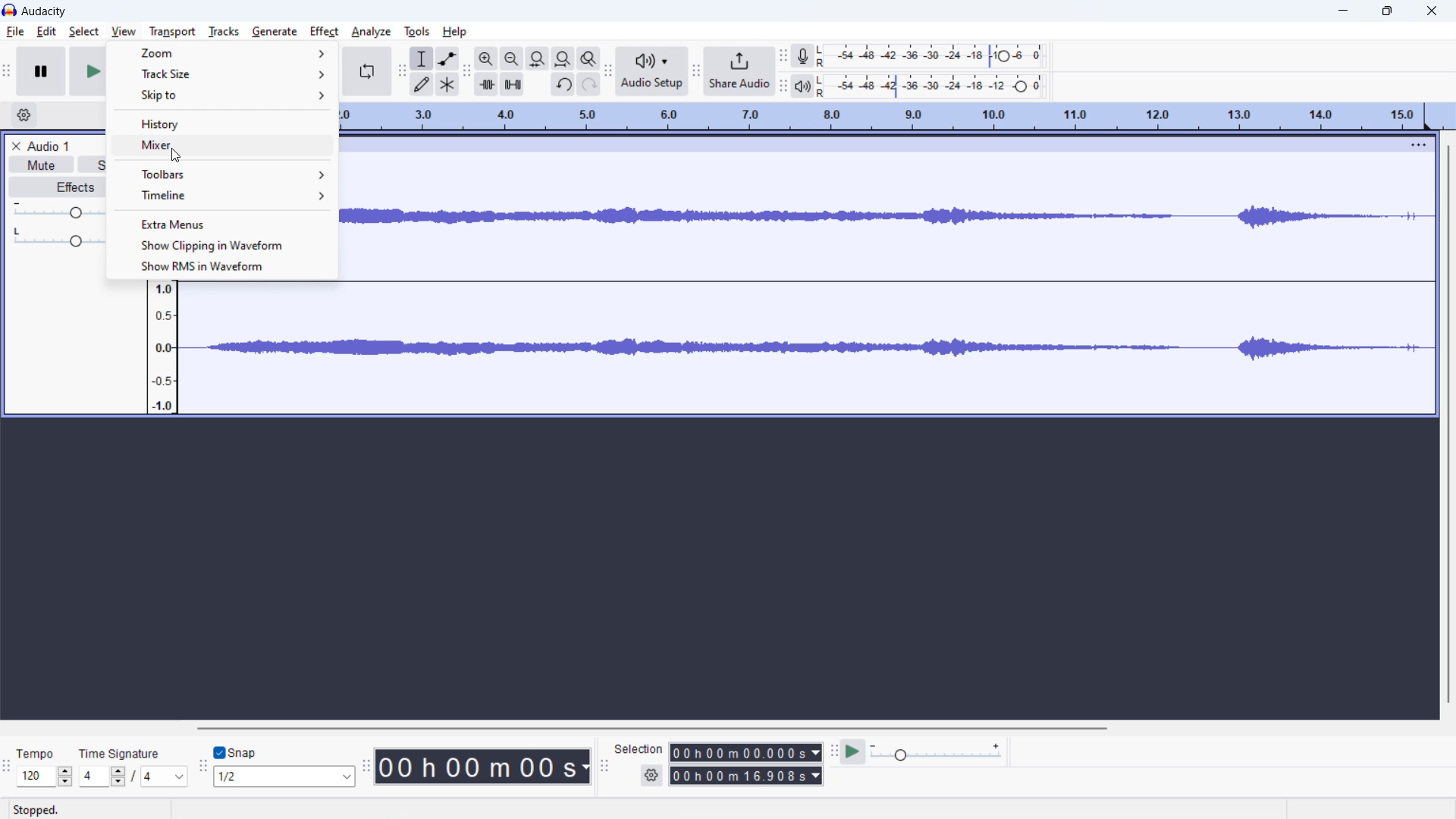  What do you see at coordinates (783, 55) in the screenshot?
I see `recording meter toolbar` at bounding box center [783, 55].